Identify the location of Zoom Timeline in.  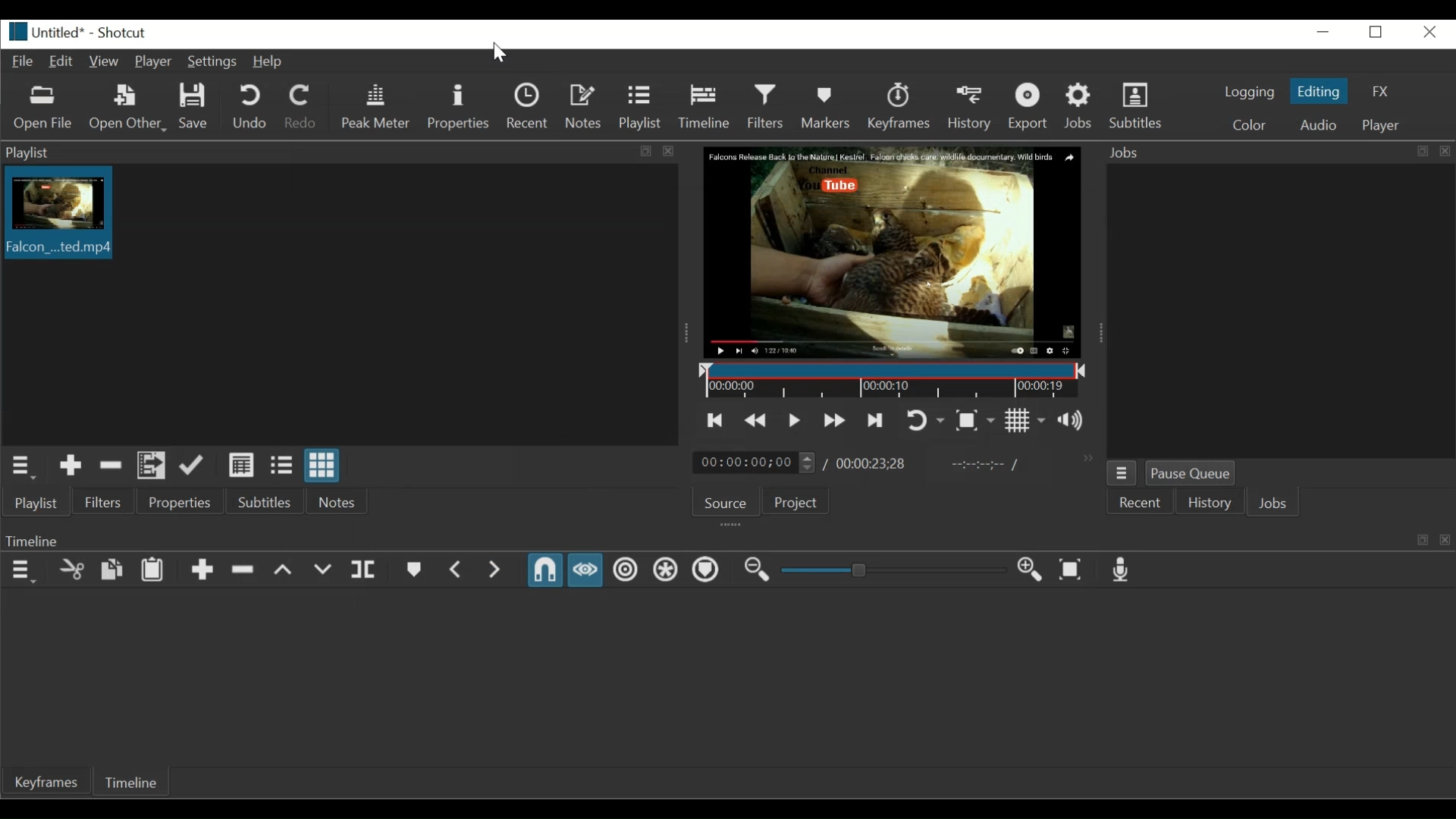
(1034, 571).